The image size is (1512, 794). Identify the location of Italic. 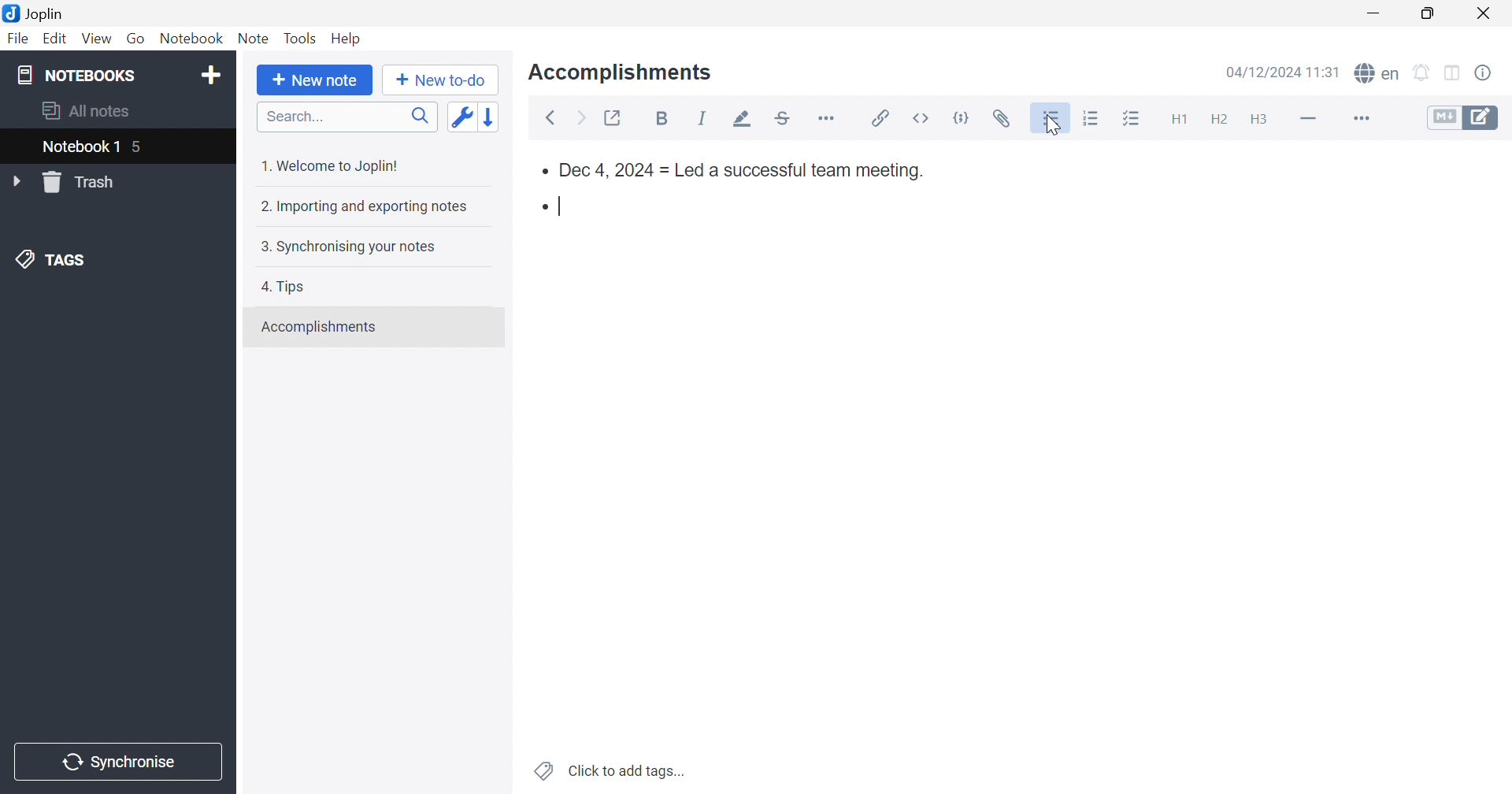
(706, 118).